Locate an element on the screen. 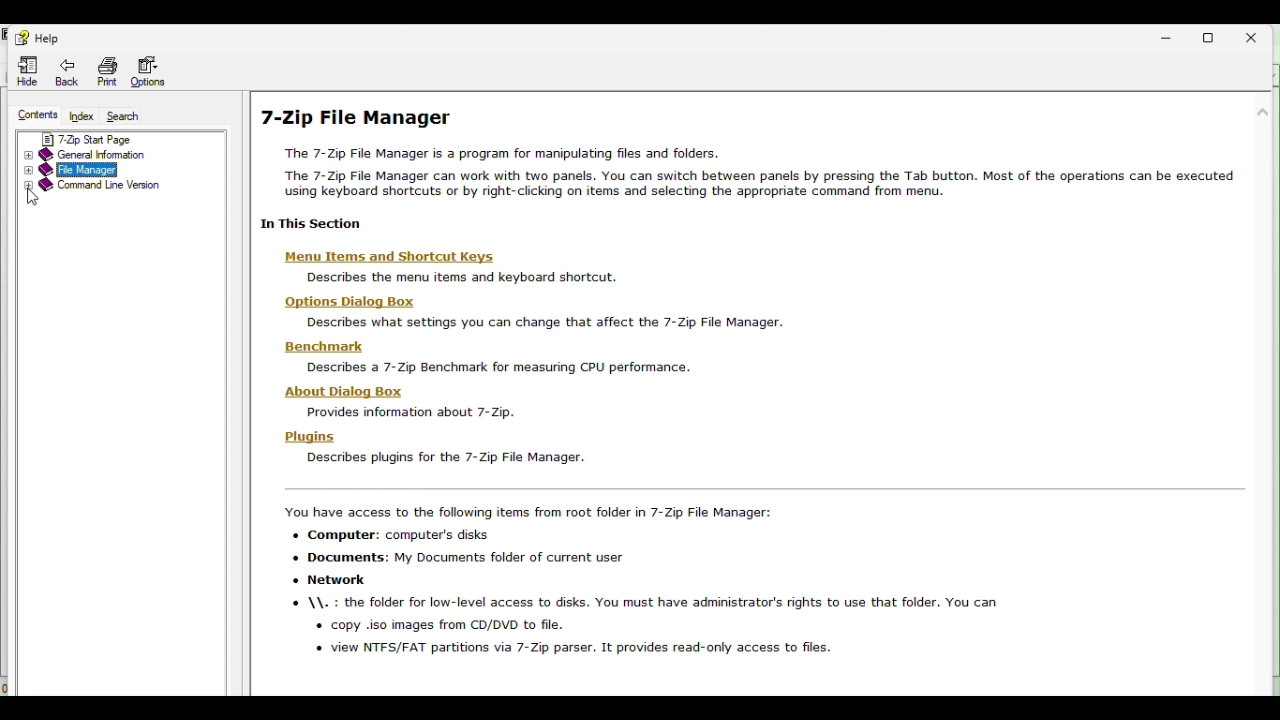 The image size is (1280, 720). ‘Benchmark is located at coordinates (318, 347).